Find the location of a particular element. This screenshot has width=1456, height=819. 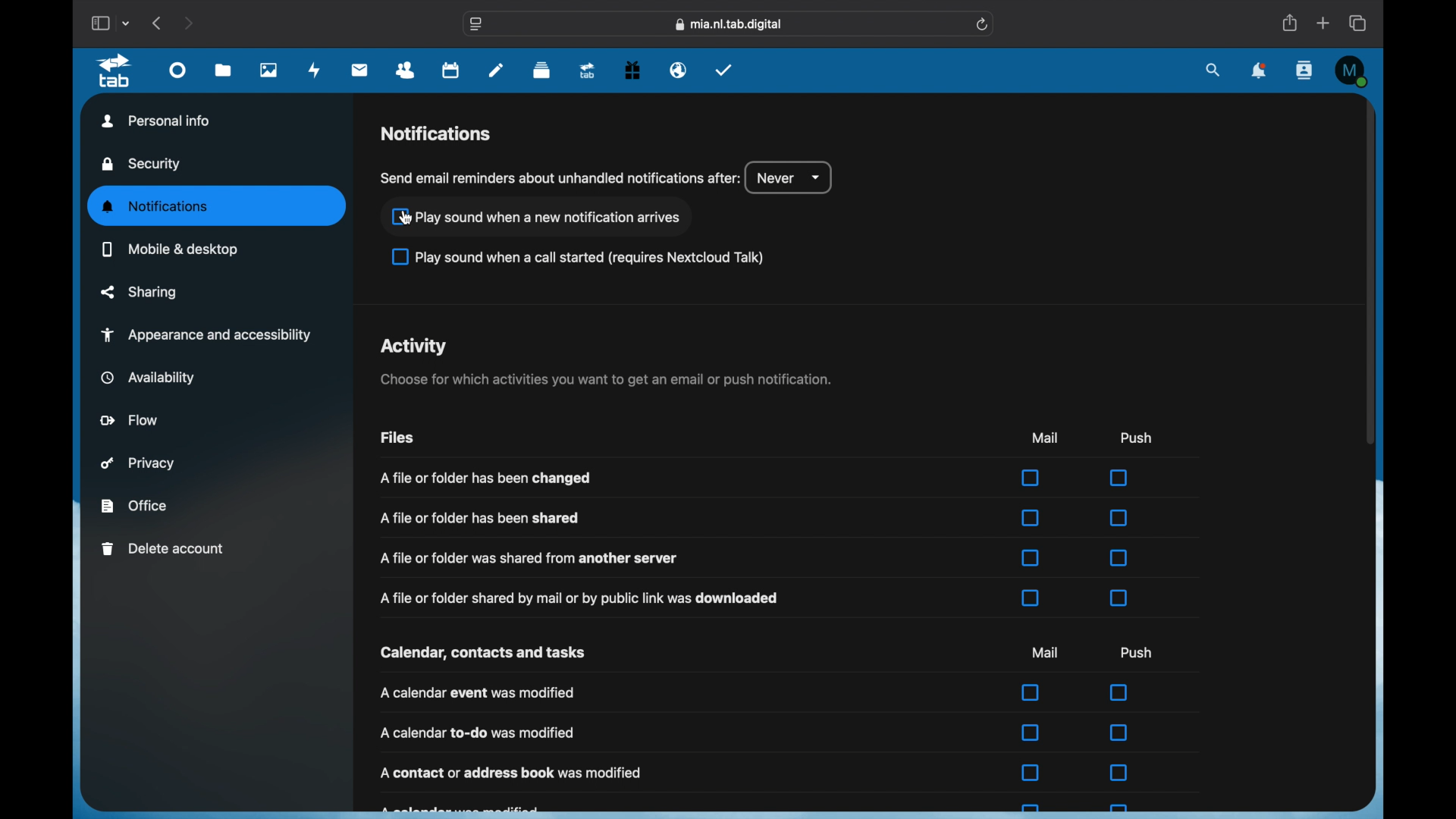

checkbox is located at coordinates (1120, 598).